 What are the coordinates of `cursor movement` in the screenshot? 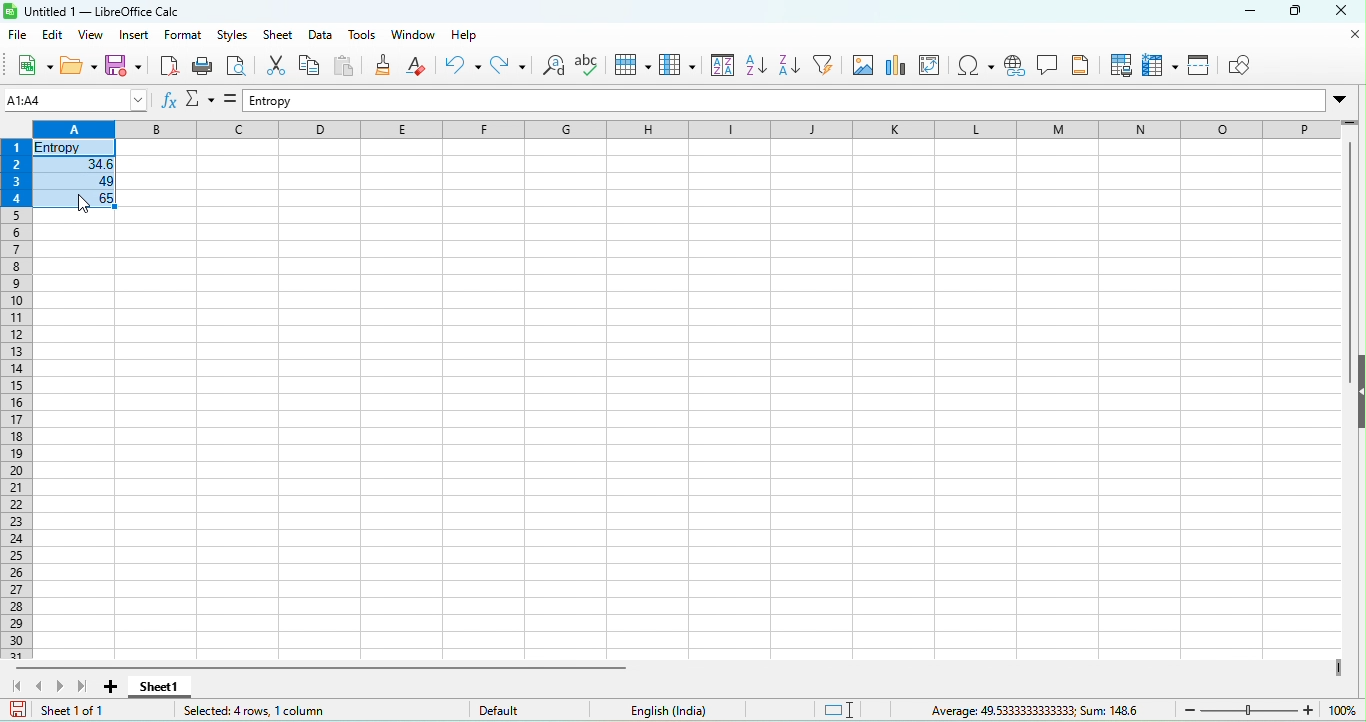 It's located at (82, 204).